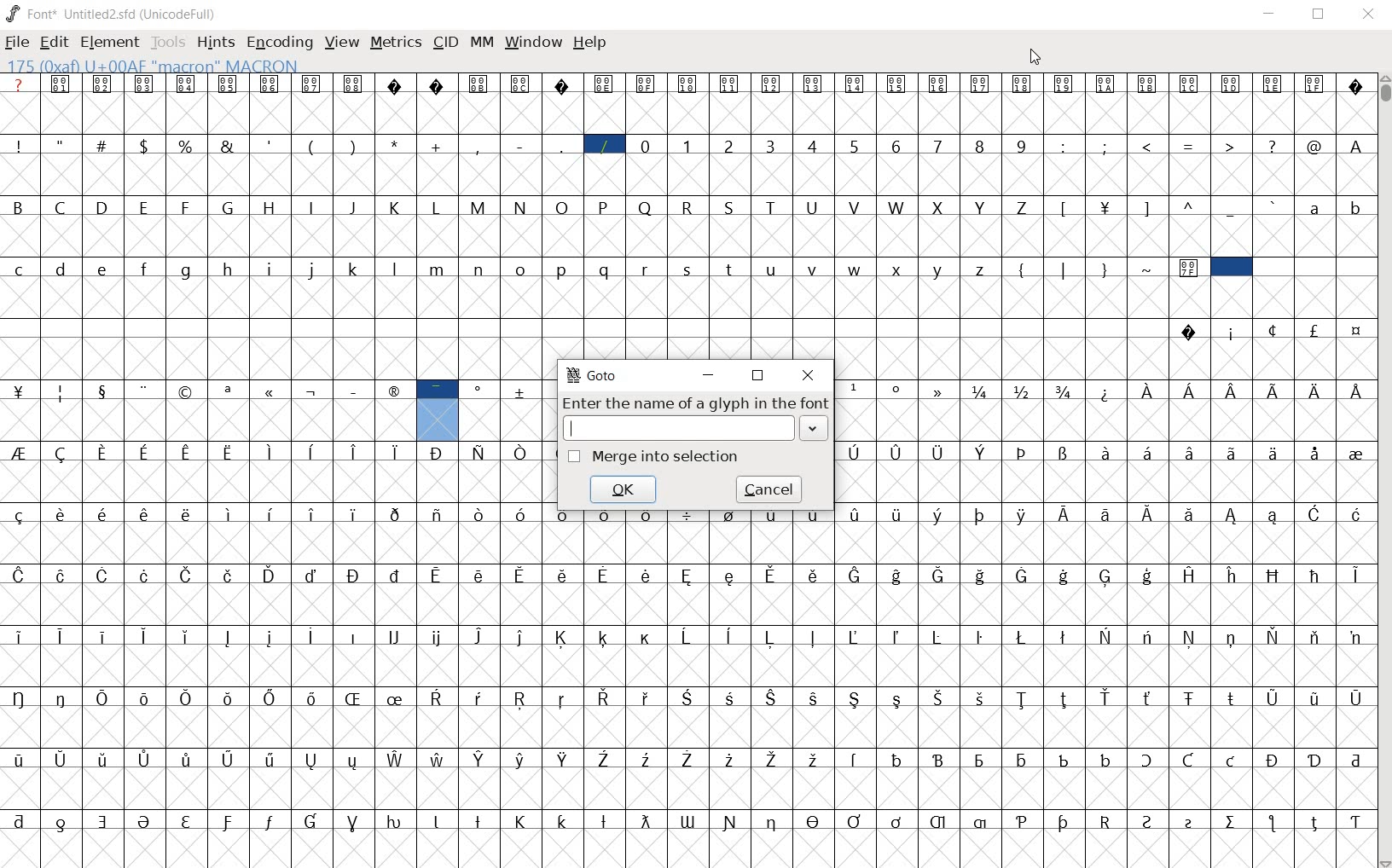  I want to click on accented characters, so click(331, 717).